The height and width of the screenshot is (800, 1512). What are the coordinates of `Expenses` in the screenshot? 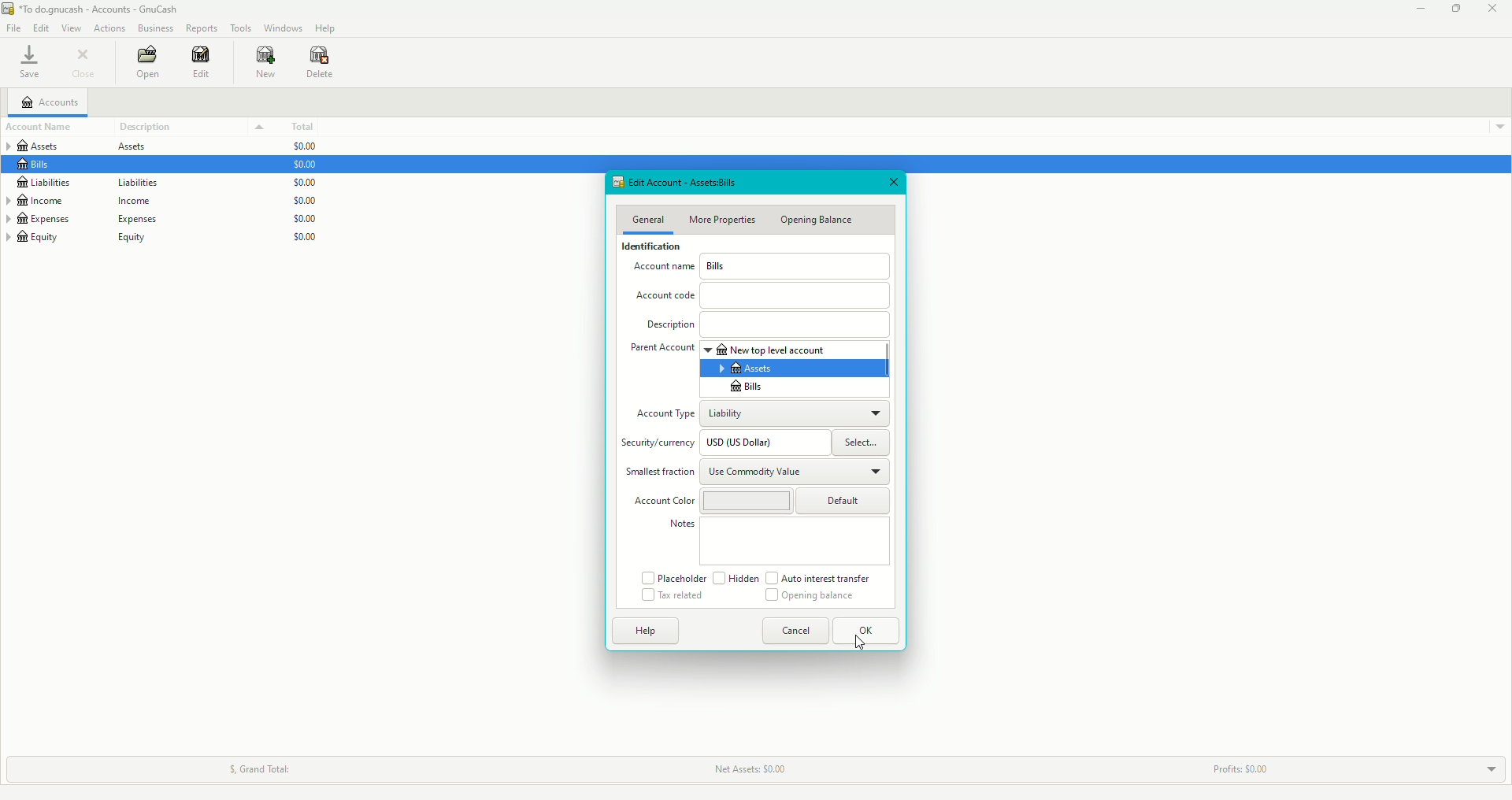 It's located at (82, 219).